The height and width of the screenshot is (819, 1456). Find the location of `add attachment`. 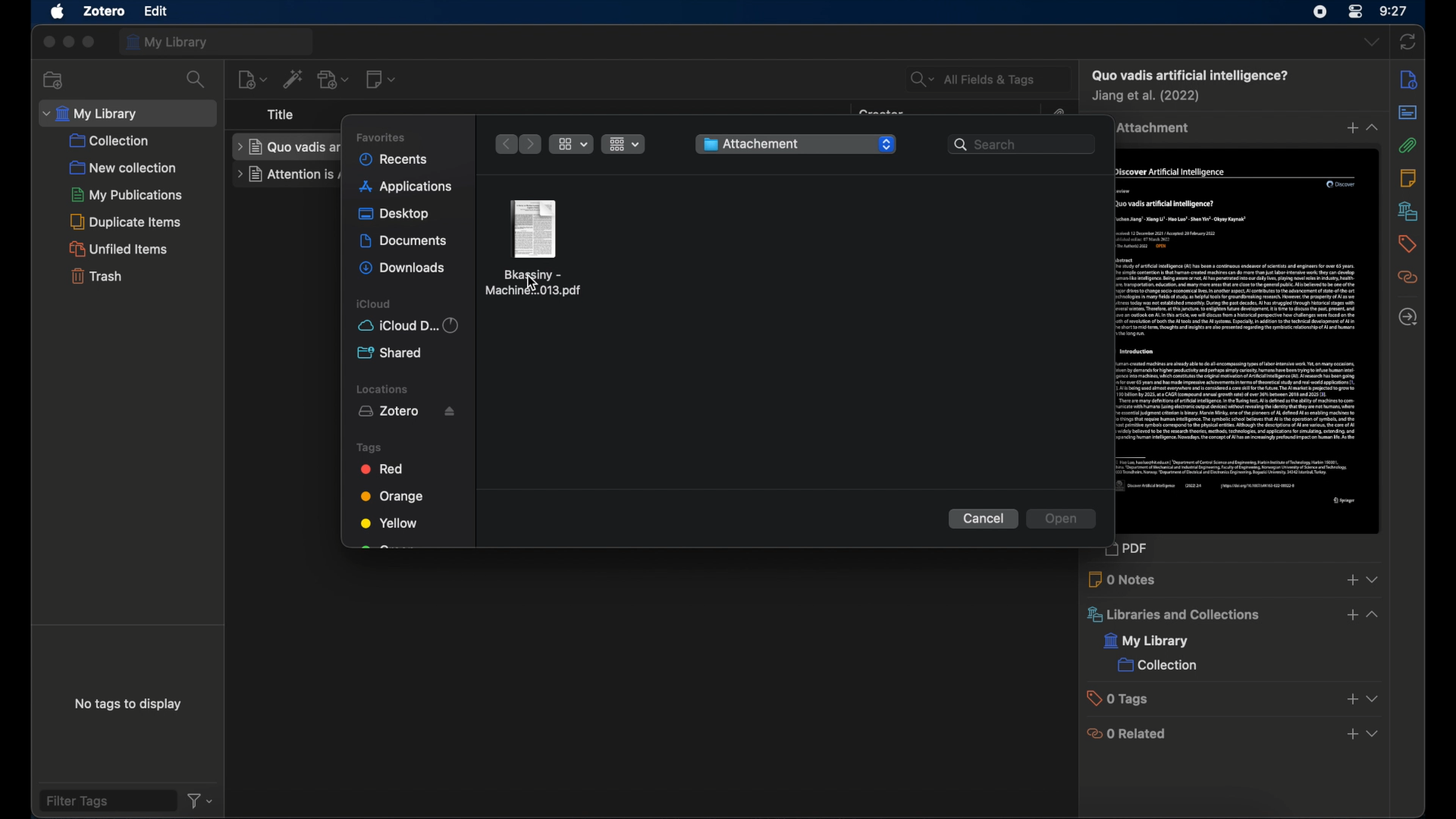

add attachment is located at coordinates (333, 80).